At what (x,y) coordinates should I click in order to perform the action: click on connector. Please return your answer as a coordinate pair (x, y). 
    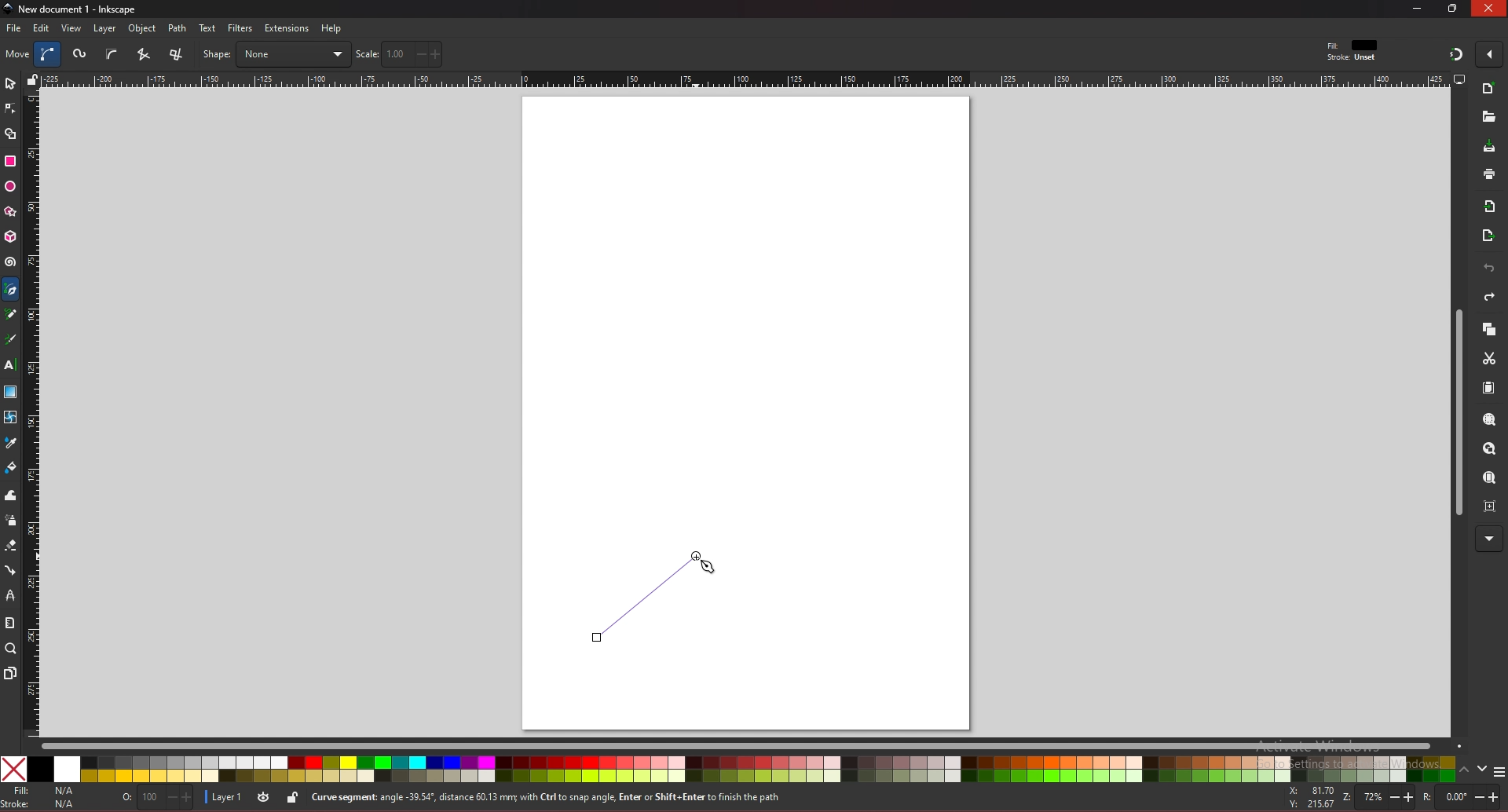
    Looking at the image, I should click on (11, 571).